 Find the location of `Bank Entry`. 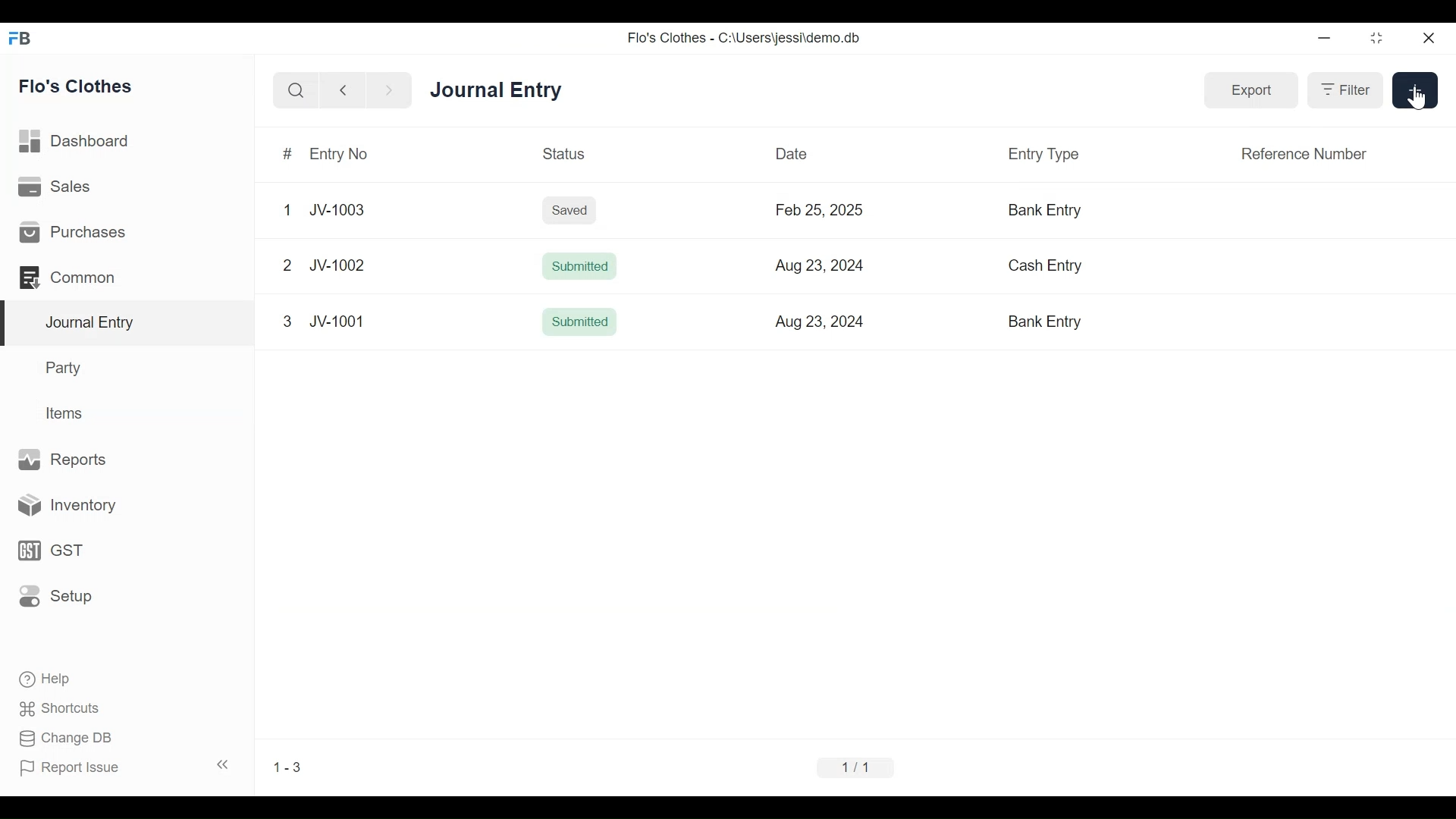

Bank Entry is located at coordinates (1044, 210).